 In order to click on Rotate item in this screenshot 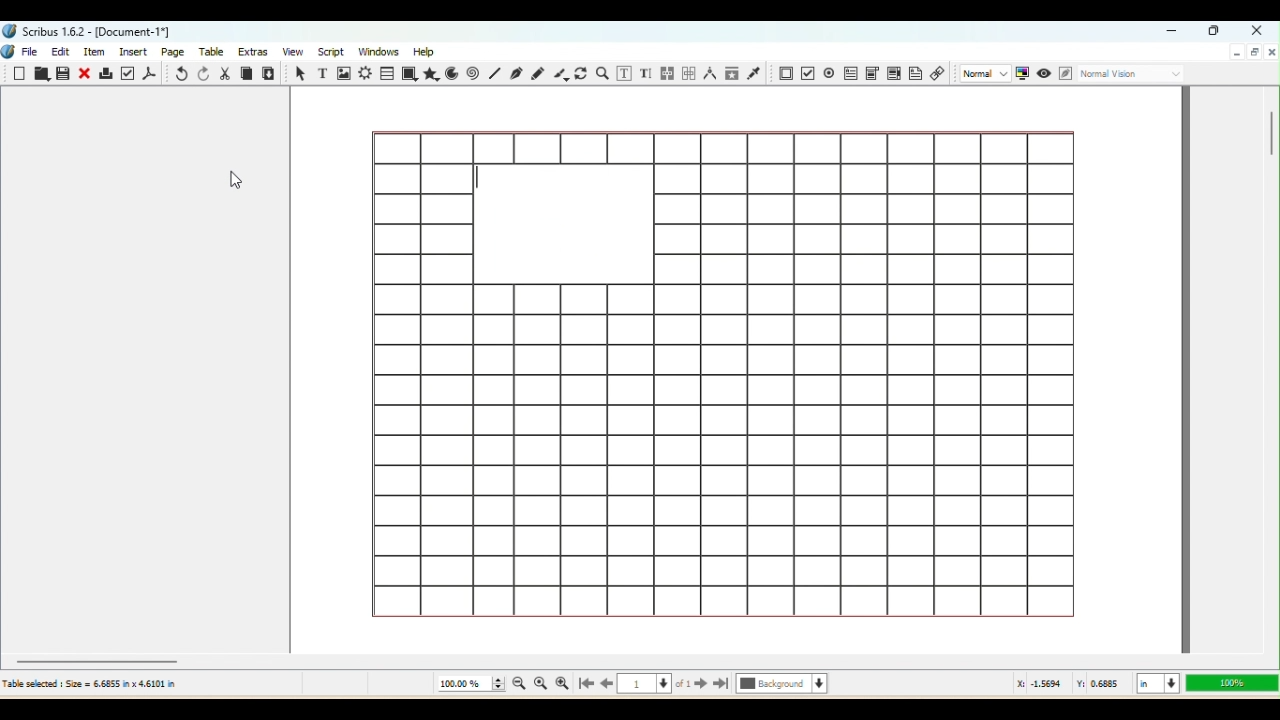, I will do `click(581, 74)`.